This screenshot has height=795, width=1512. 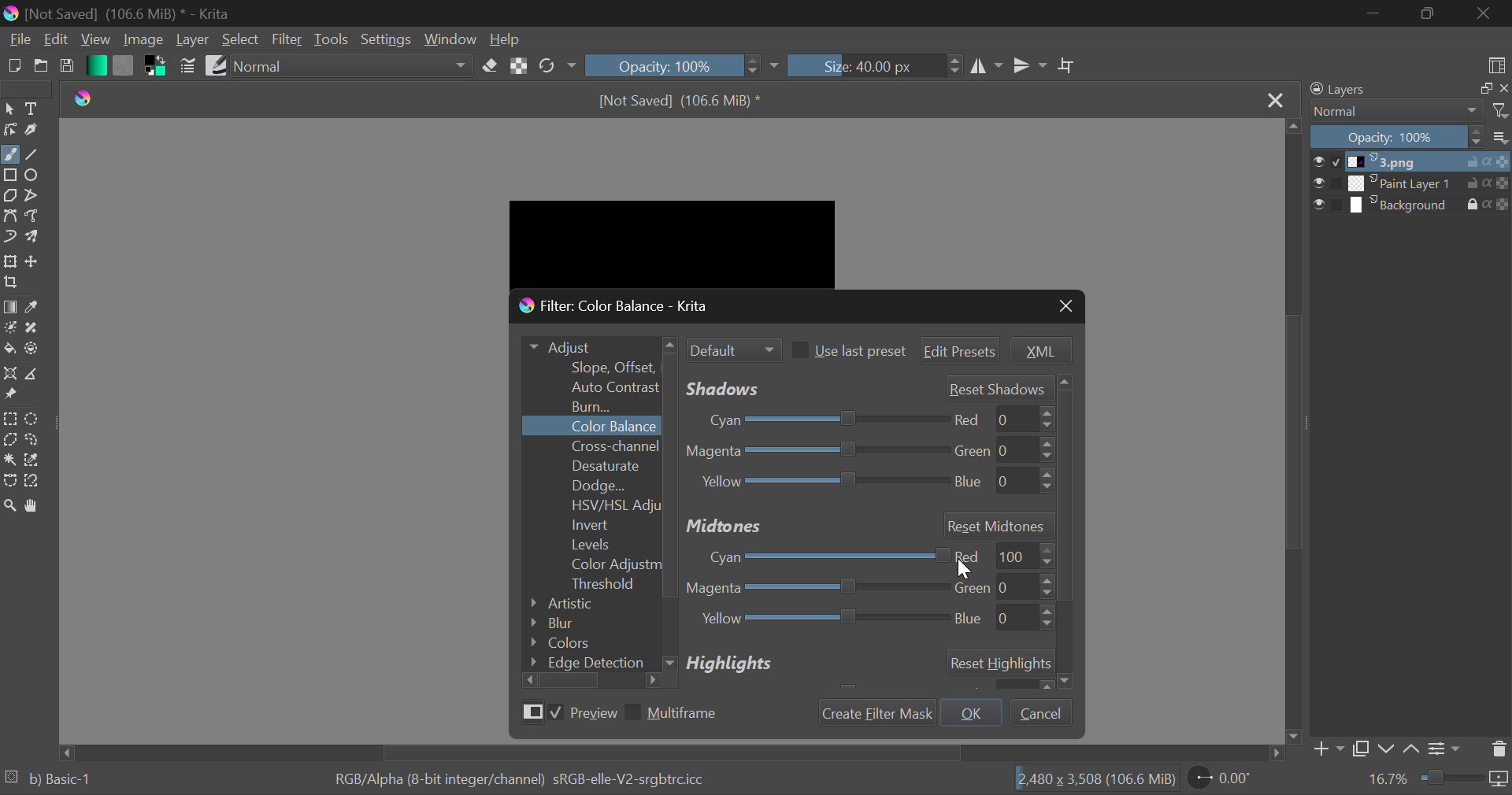 What do you see at coordinates (33, 108) in the screenshot?
I see `Text` at bounding box center [33, 108].